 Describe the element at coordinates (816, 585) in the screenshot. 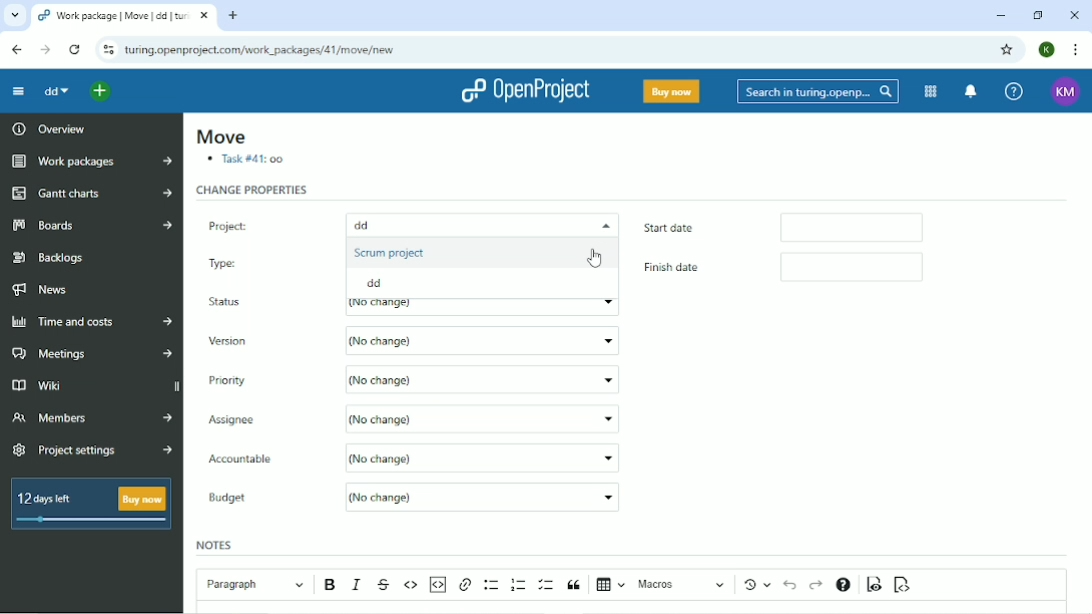

I see `Redo` at that location.